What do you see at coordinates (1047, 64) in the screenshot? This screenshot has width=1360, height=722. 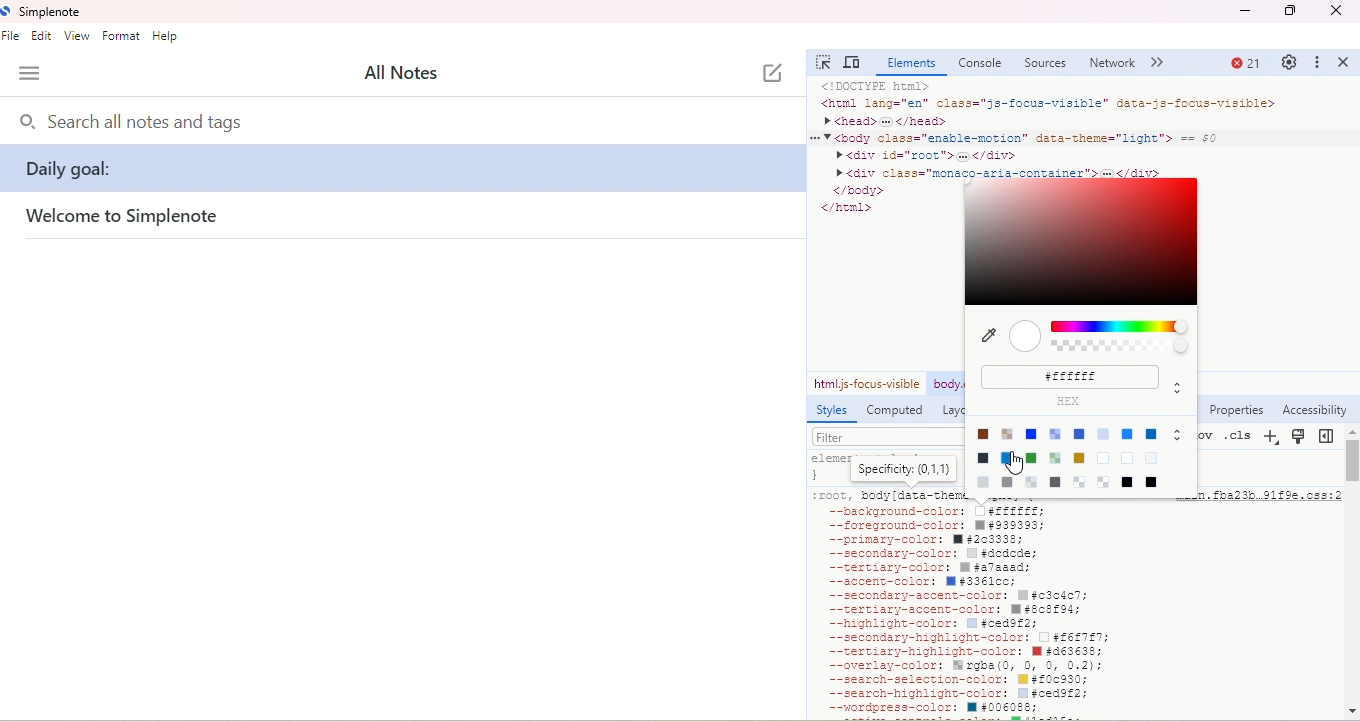 I see `sources` at bounding box center [1047, 64].